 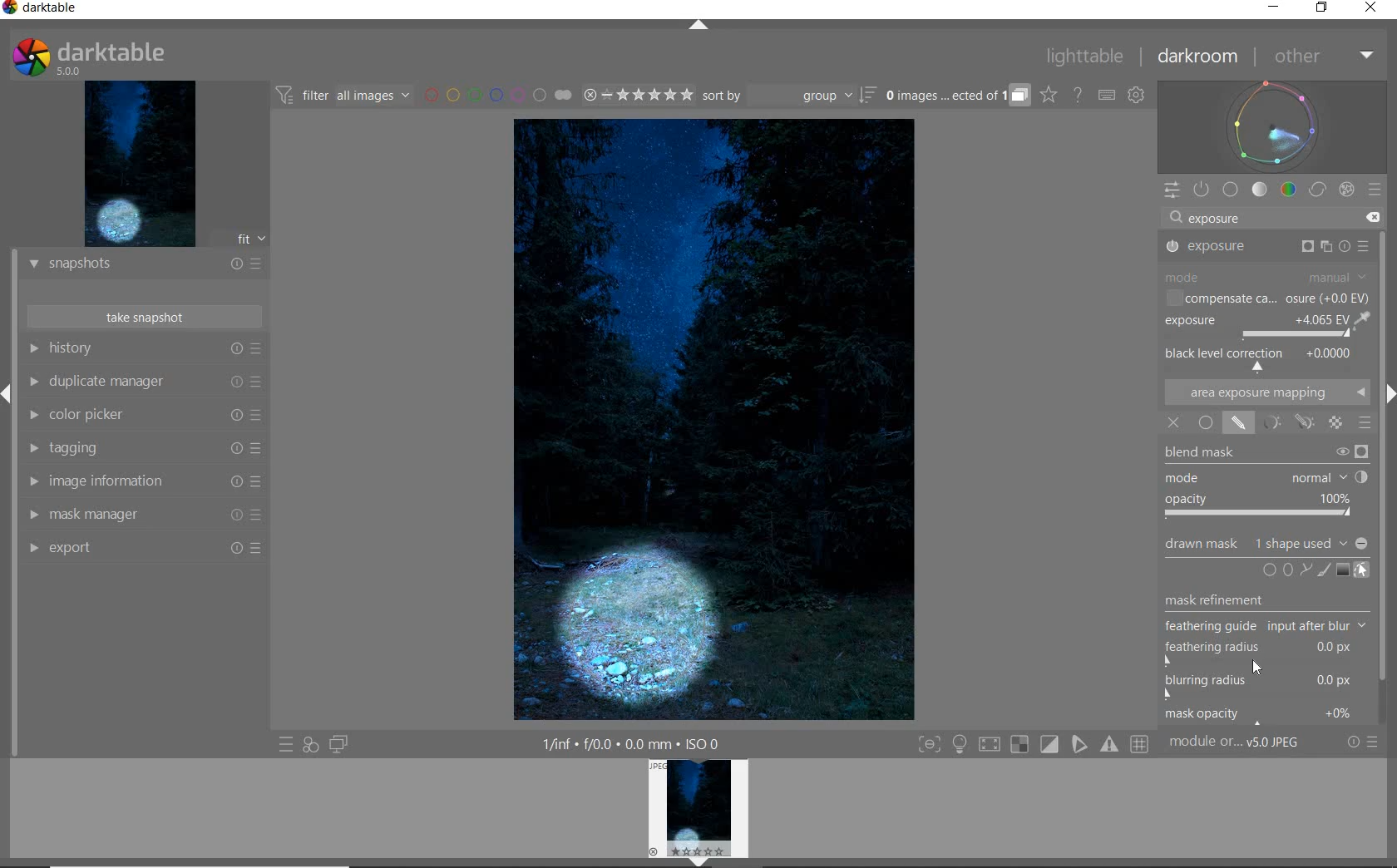 I want to click on EFFECT, so click(x=1347, y=190).